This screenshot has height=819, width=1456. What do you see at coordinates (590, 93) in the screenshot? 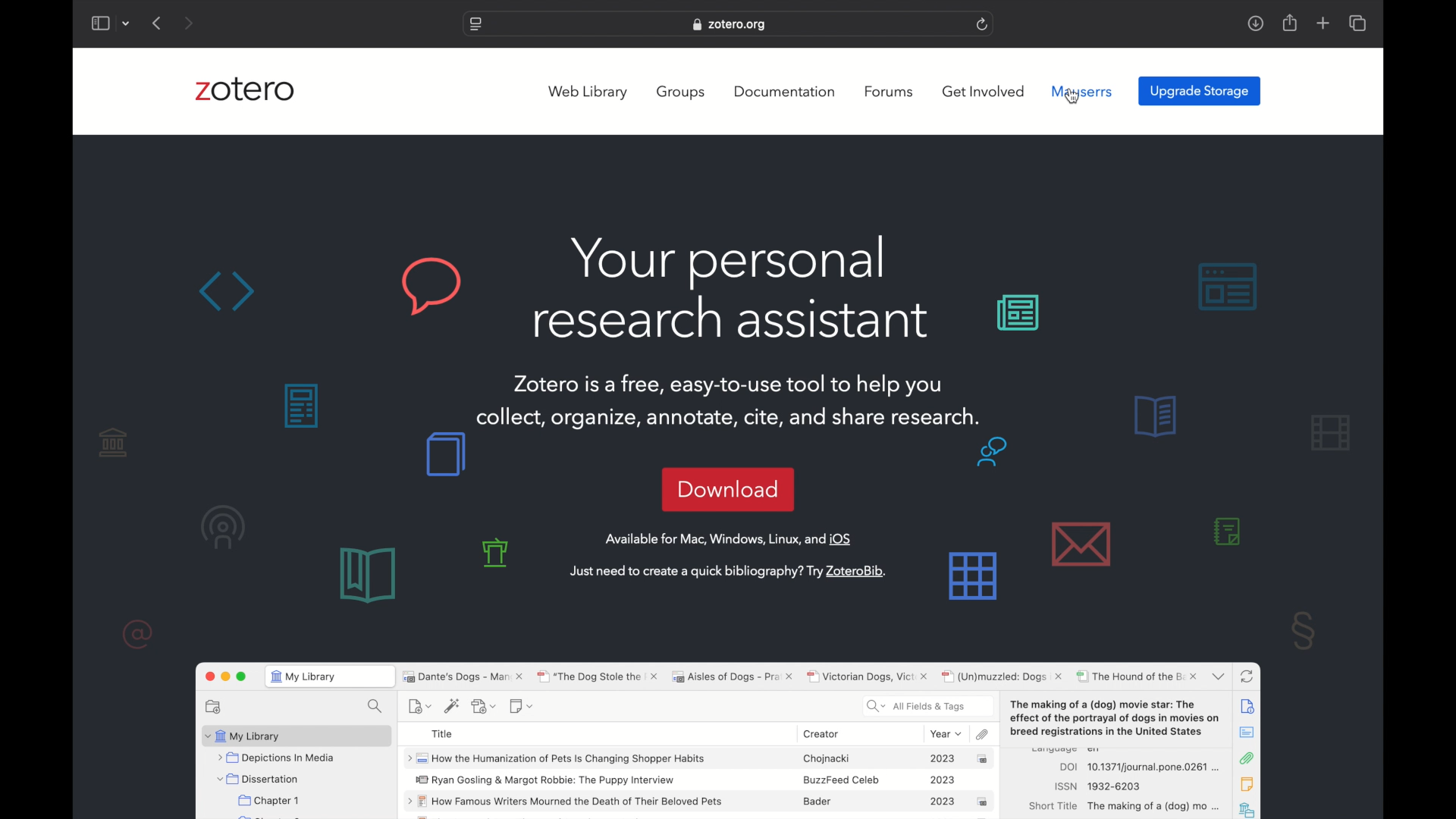
I see `web library` at bounding box center [590, 93].